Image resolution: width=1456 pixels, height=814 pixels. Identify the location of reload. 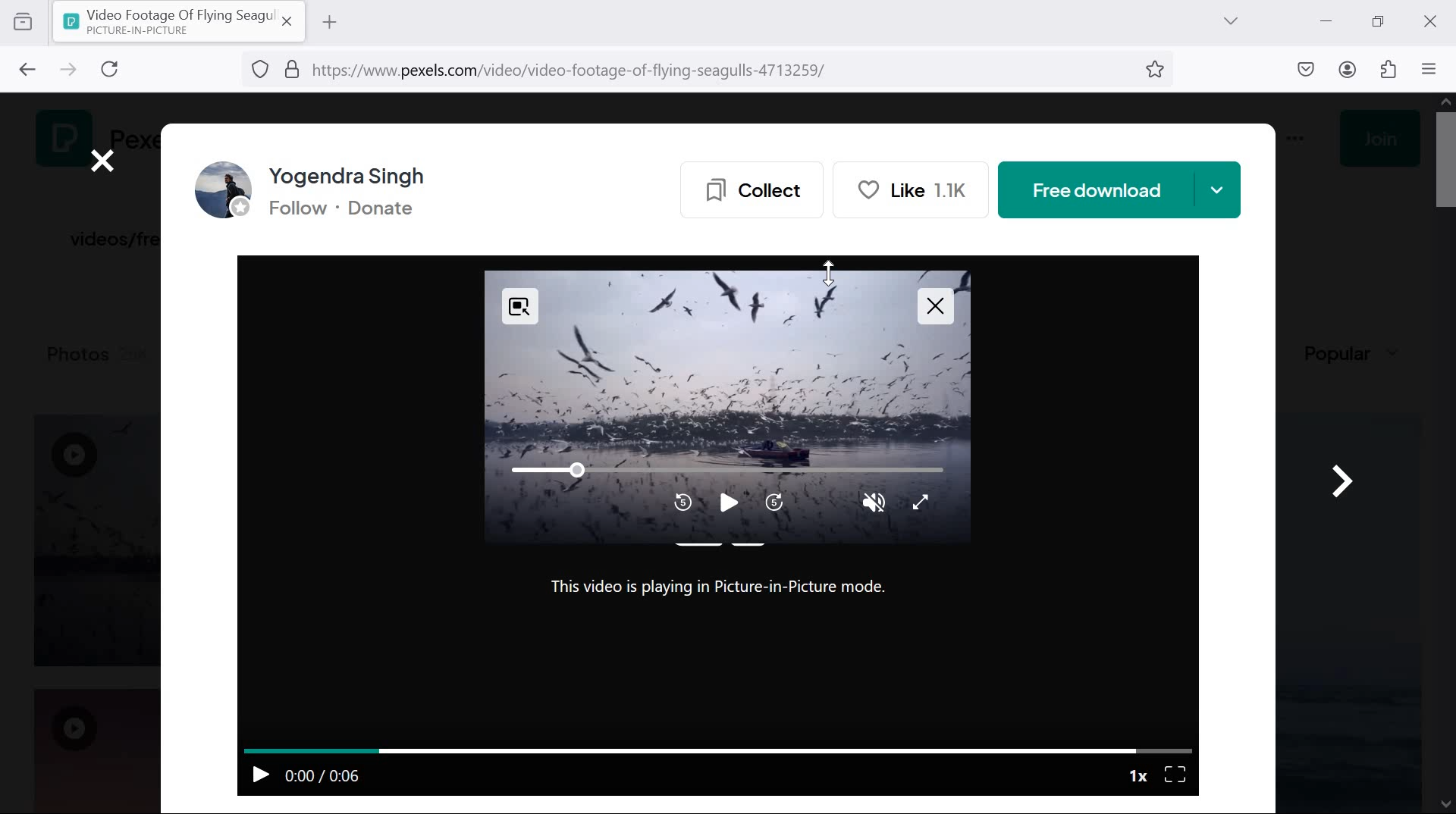
(115, 70).